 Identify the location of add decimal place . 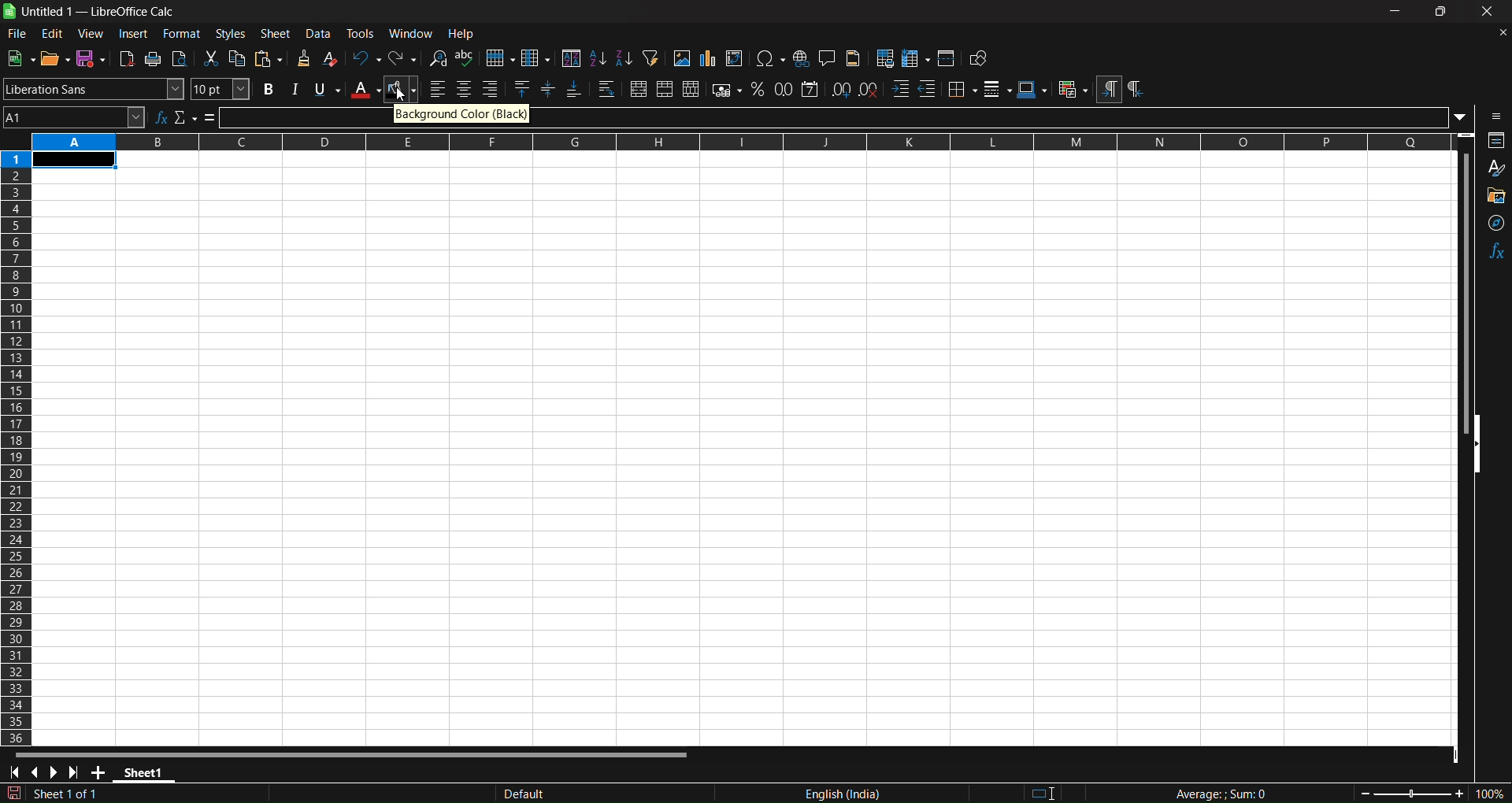
(839, 91).